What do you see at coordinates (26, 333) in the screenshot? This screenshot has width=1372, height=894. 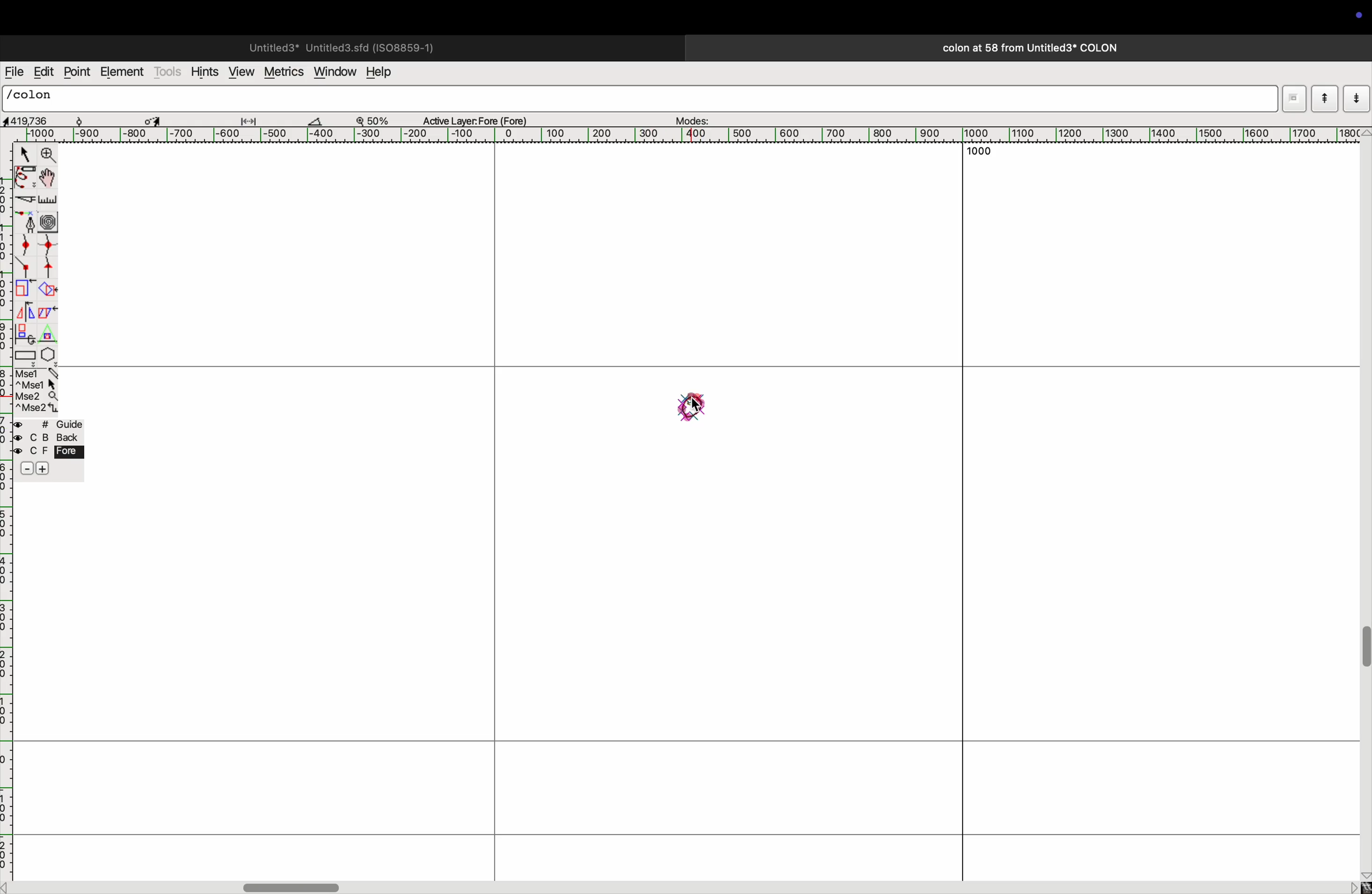 I see `clone` at bounding box center [26, 333].